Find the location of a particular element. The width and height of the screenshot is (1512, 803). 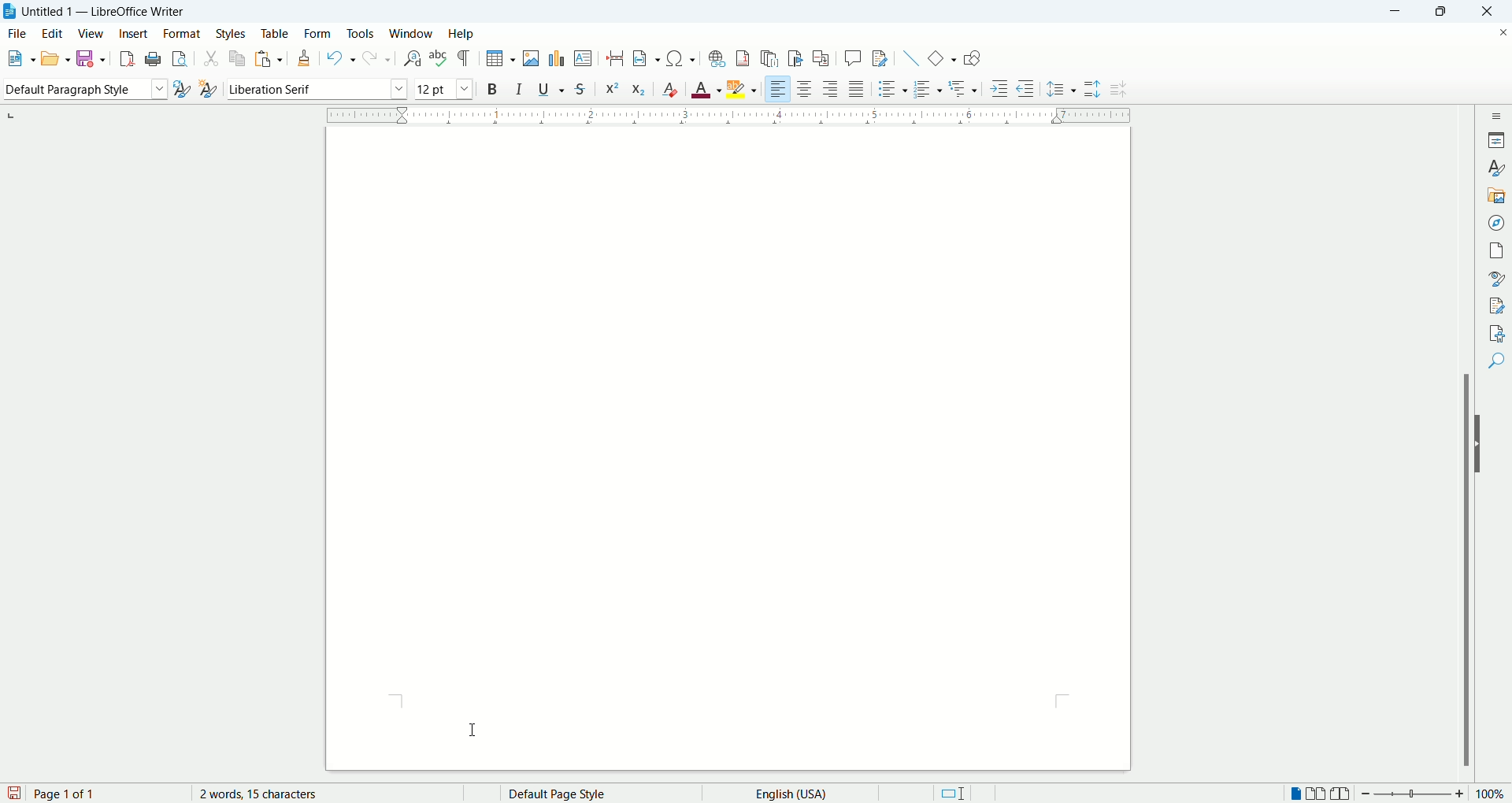

close document is located at coordinates (1499, 31).